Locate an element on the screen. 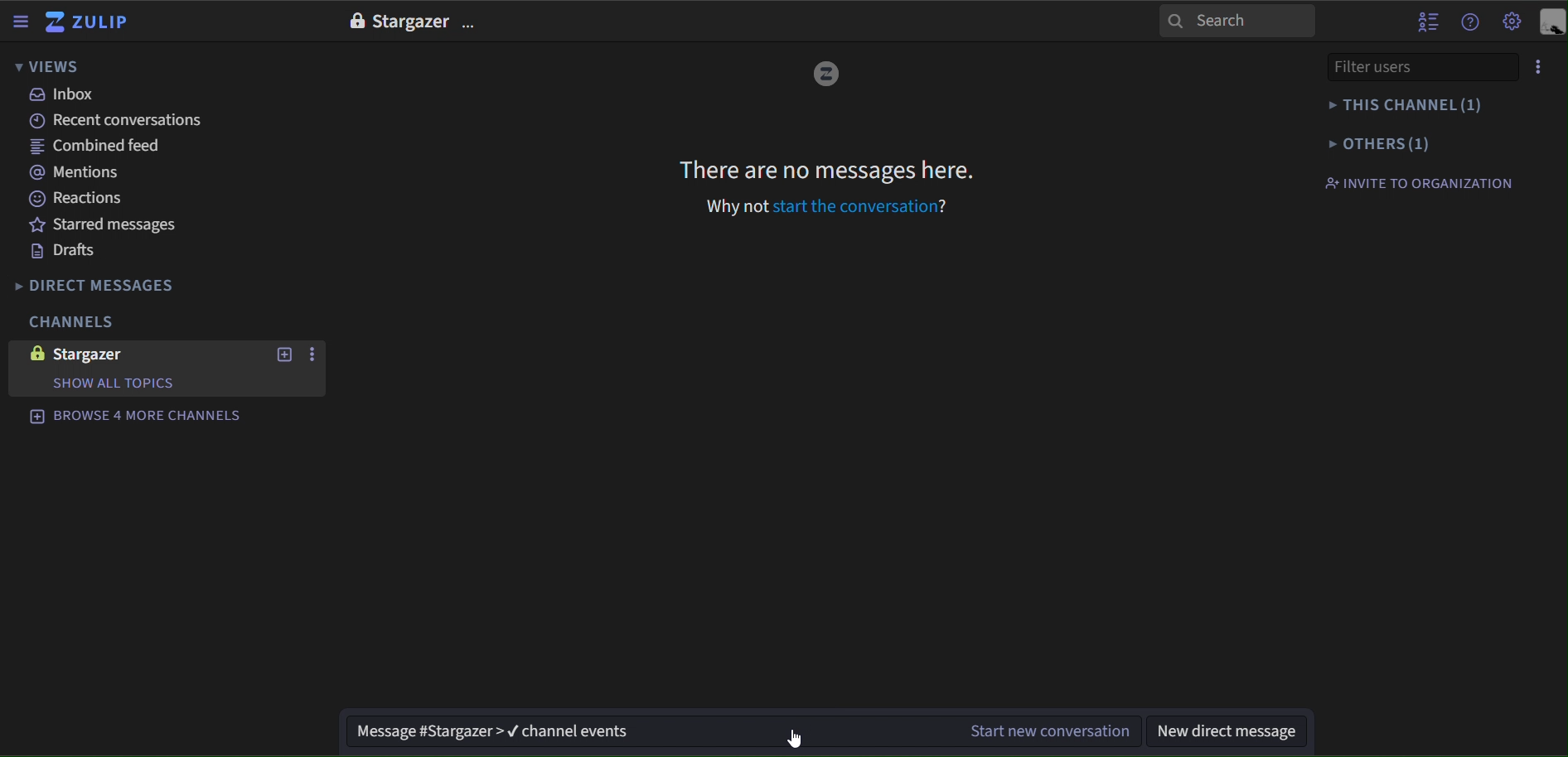  Message #Stargazer > channel events is located at coordinates (645, 733).